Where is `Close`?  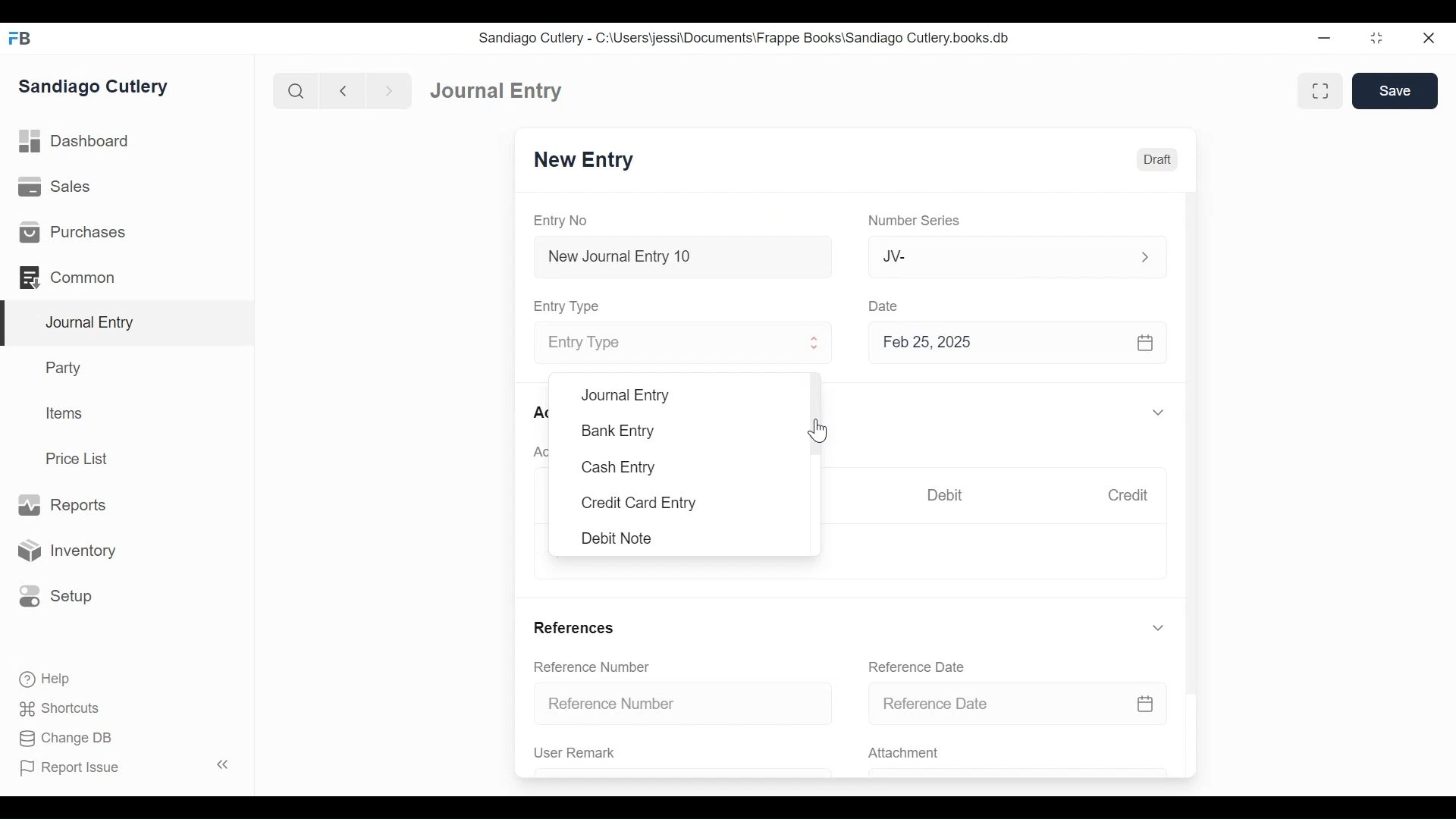
Close is located at coordinates (1427, 39).